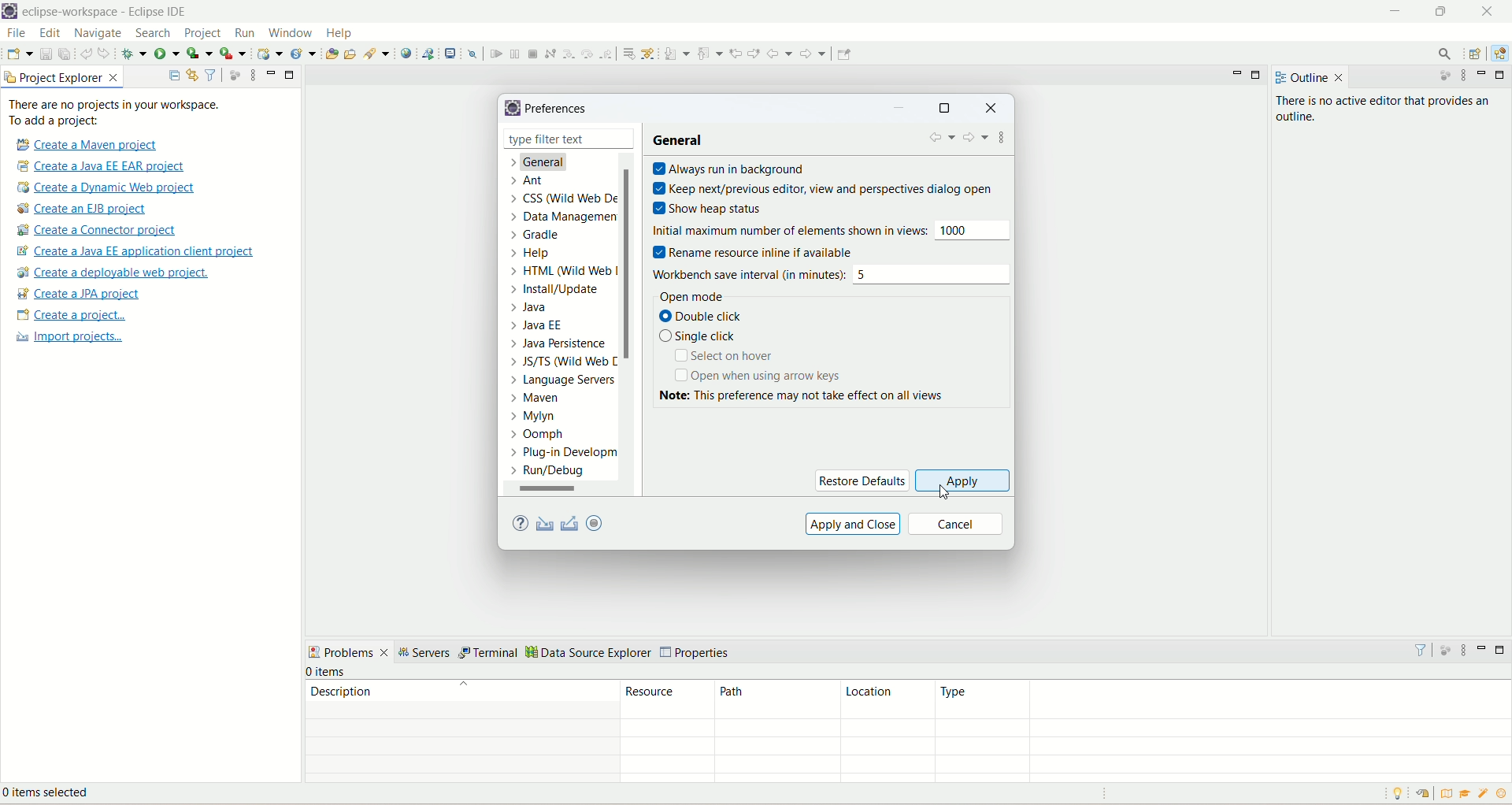 This screenshot has height=805, width=1512. What do you see at coordinates (773, 700) in the screenshot?
I see `path` at bounding box center [773, 700].